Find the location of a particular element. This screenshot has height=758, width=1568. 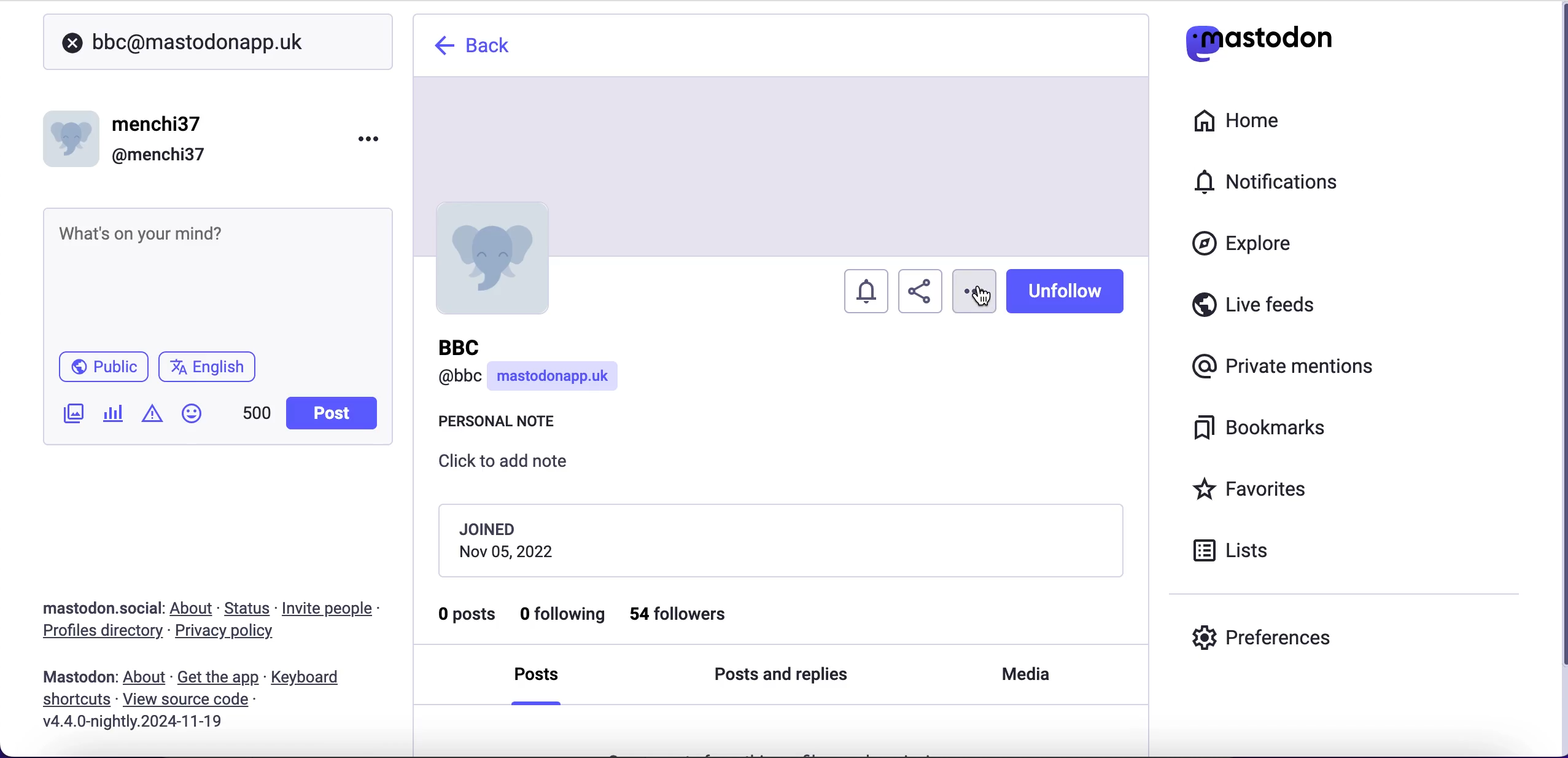

user name is located at coordinates (537, 368).